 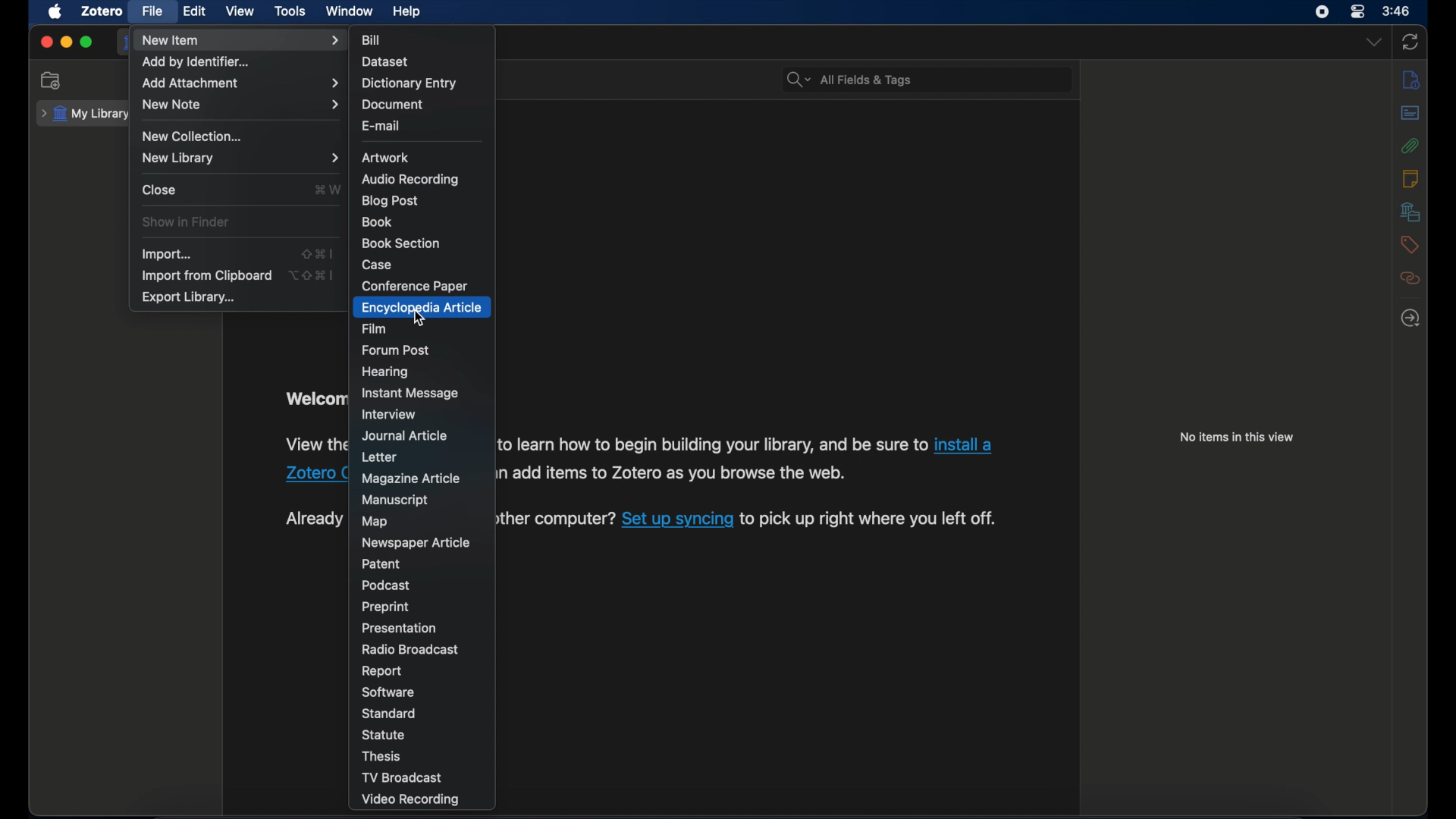 I want to click on new item, so click(x=242, y=40).